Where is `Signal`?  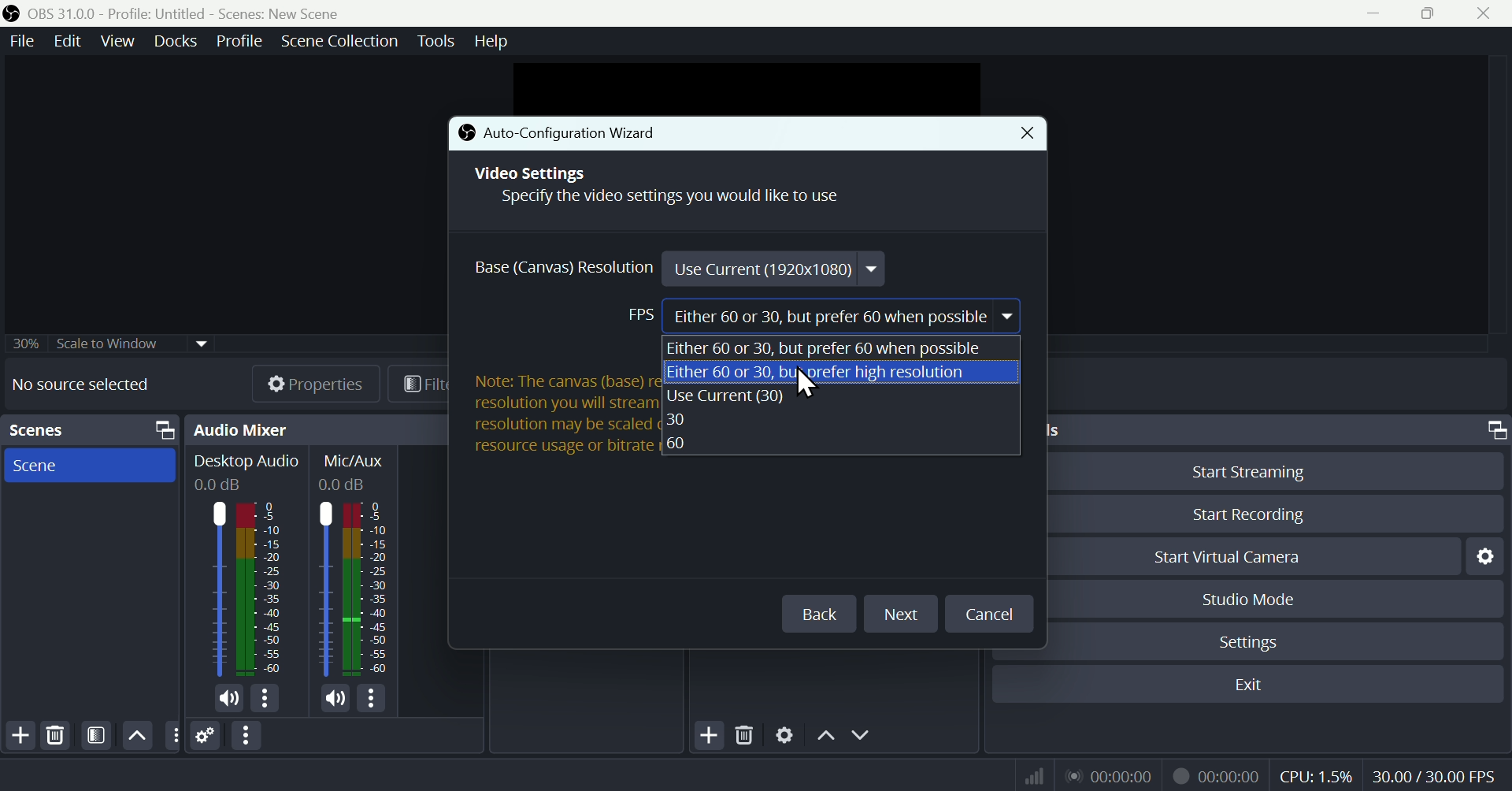 Signal is located at coordinates (1028, 775).